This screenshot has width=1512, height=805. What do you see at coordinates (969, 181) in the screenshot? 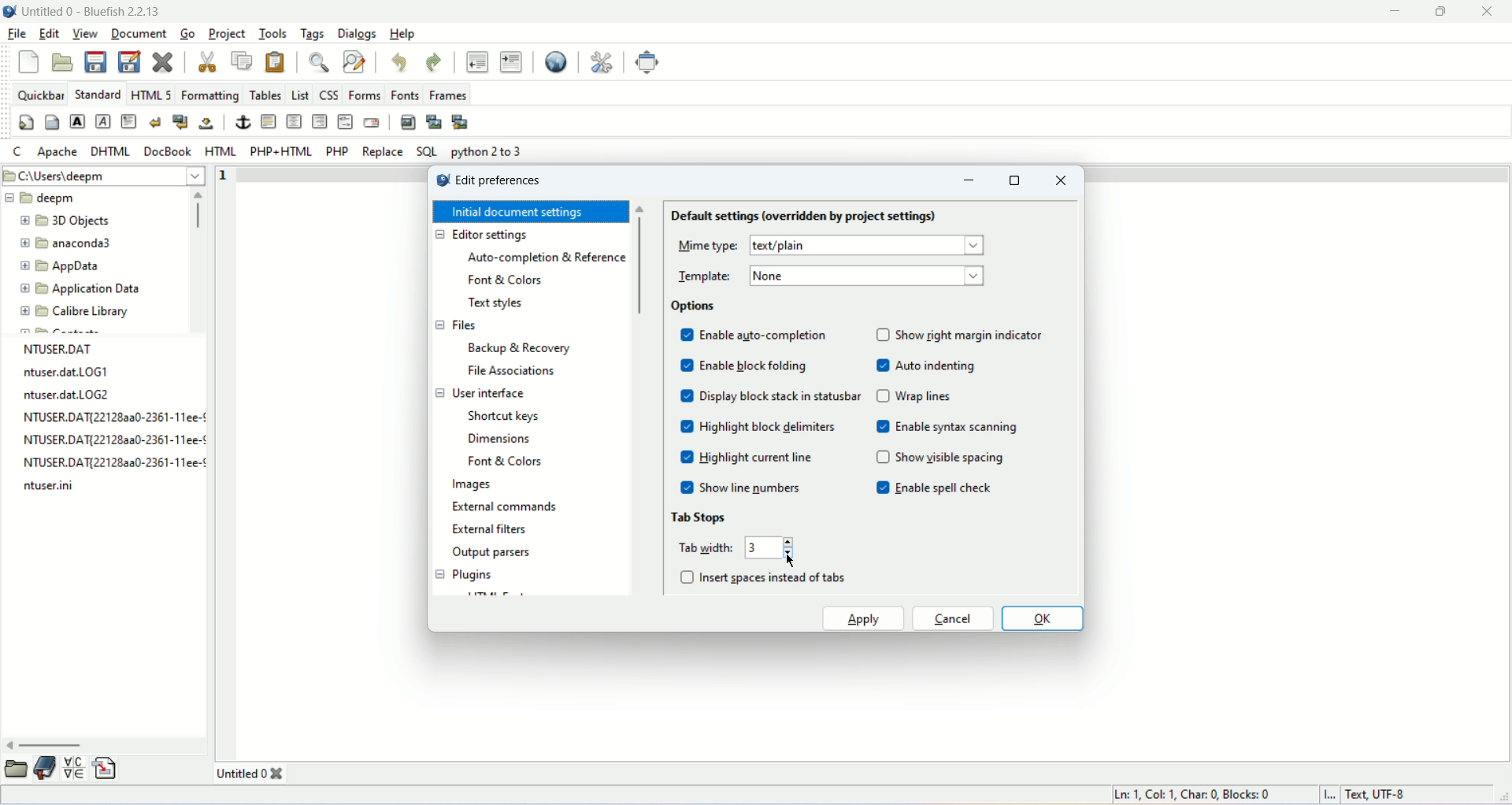
I see `minimize` at bounding box center [969, 181].